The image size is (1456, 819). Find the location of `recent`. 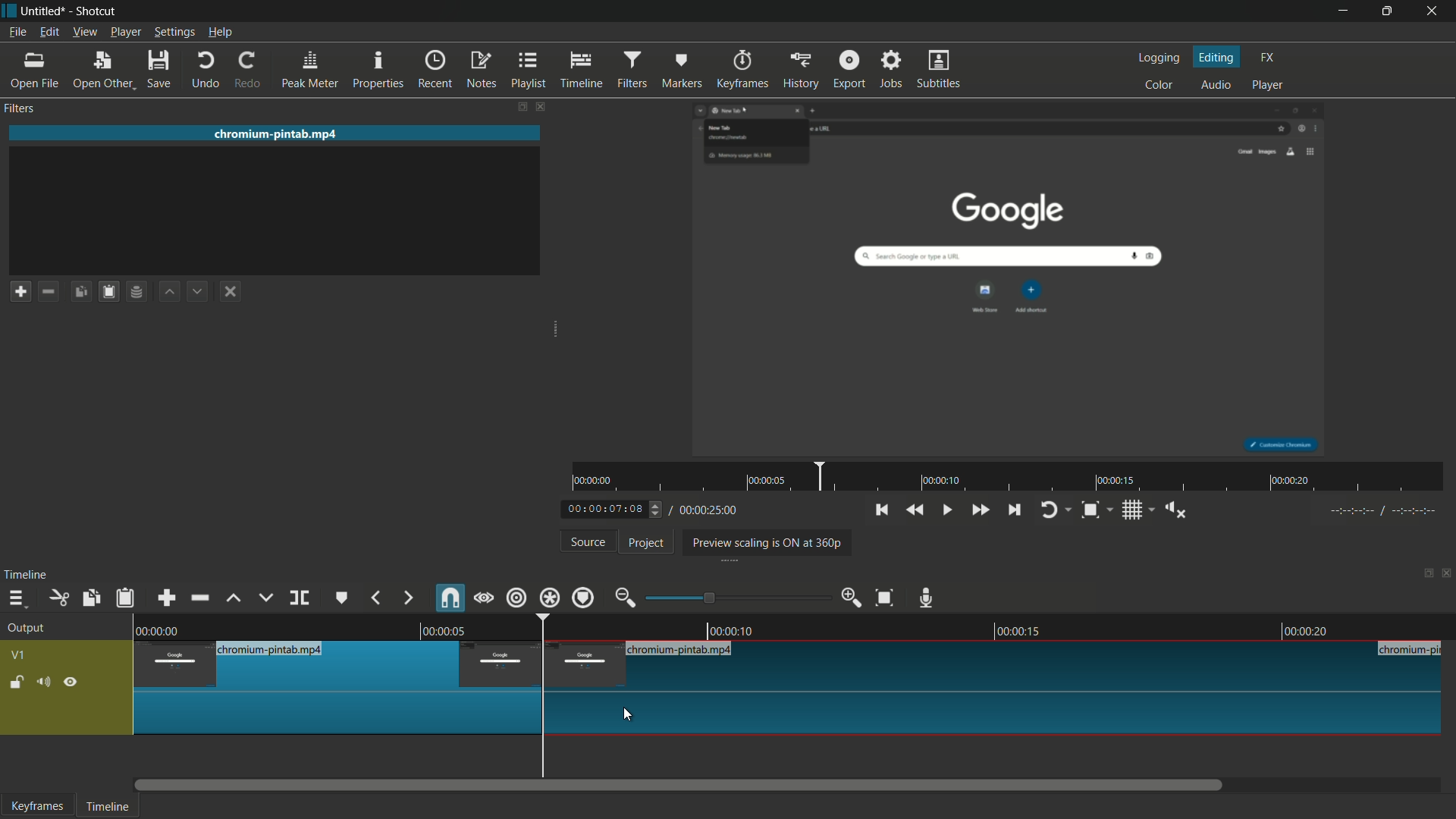

recent is located at coordinates (435, 69).